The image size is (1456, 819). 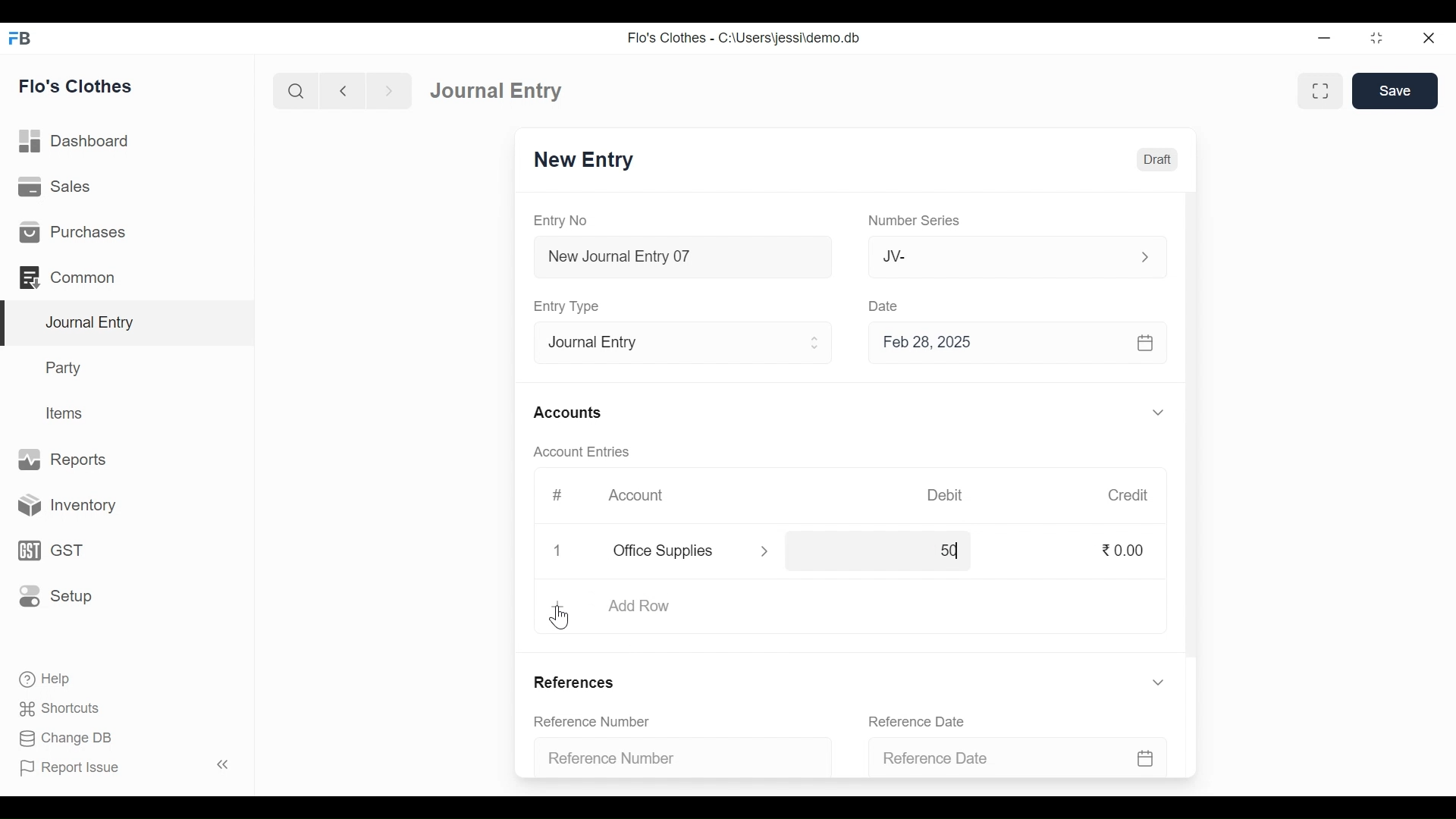 What do you see at coordinates (563, 619) in the screenshot?
I see `cursor` at bounding box center [563, 619].